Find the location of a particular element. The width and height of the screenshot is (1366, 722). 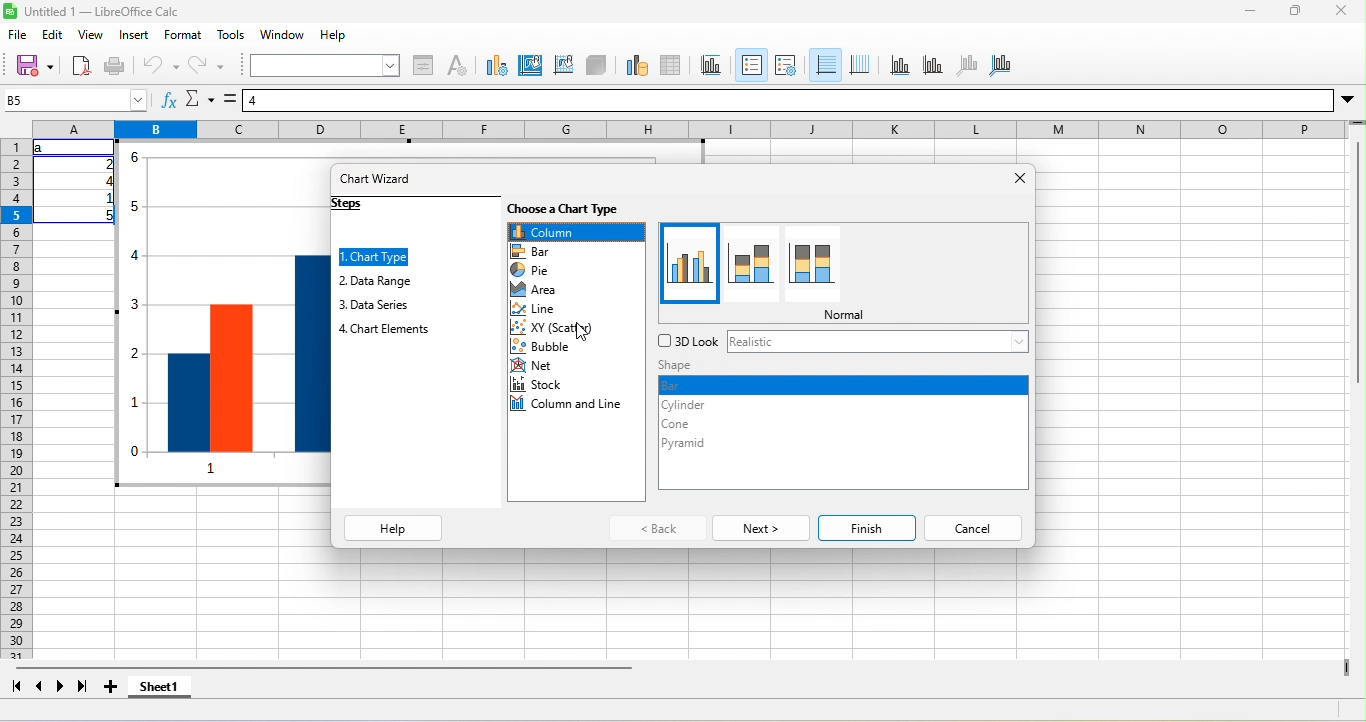

bar is located at coordinates (577, 251).